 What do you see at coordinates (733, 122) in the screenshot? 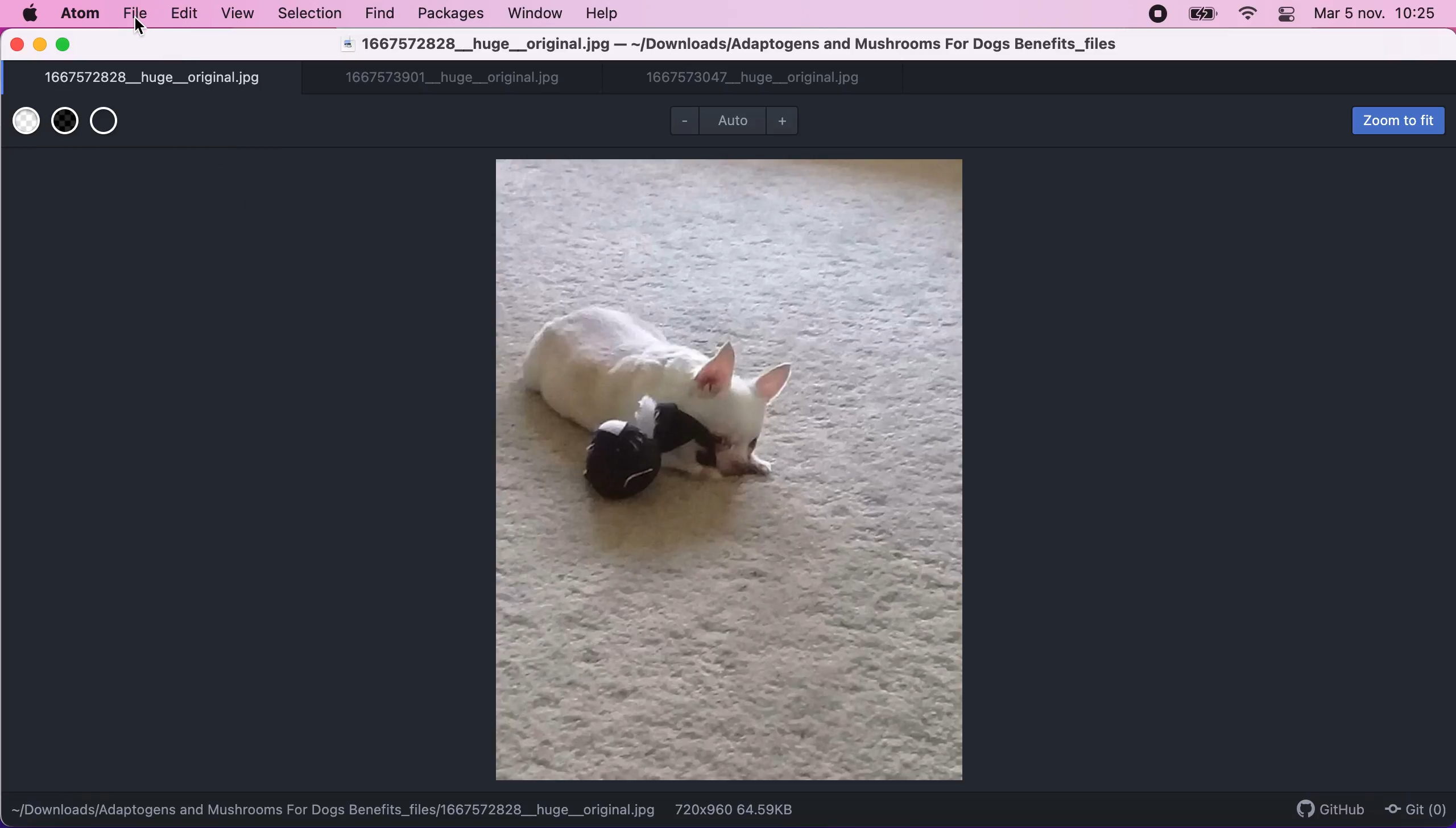
I see `Auto` at bounding box center [733, 122].